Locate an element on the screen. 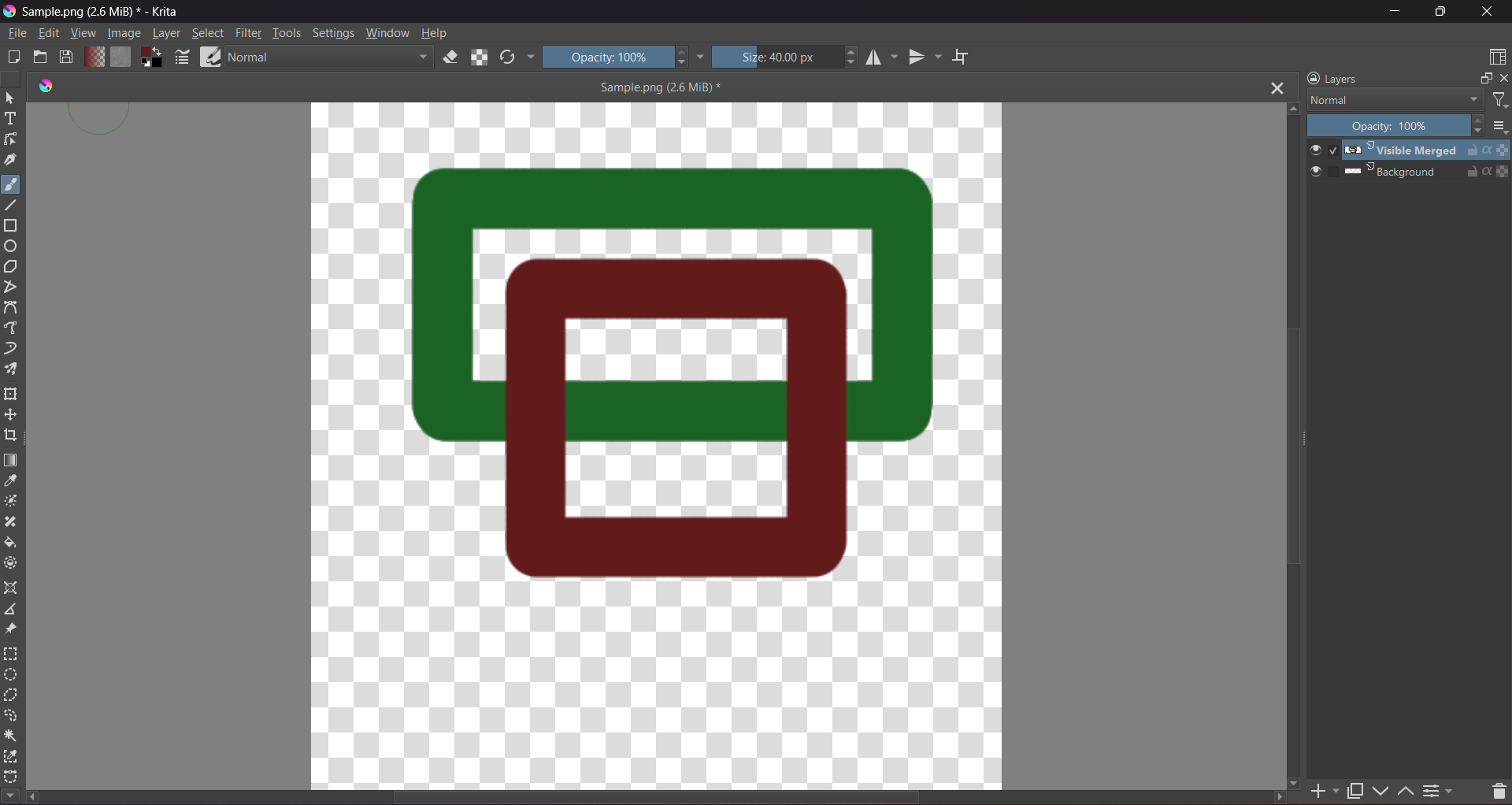  Scroll up is located at coordinates (1291, 108).